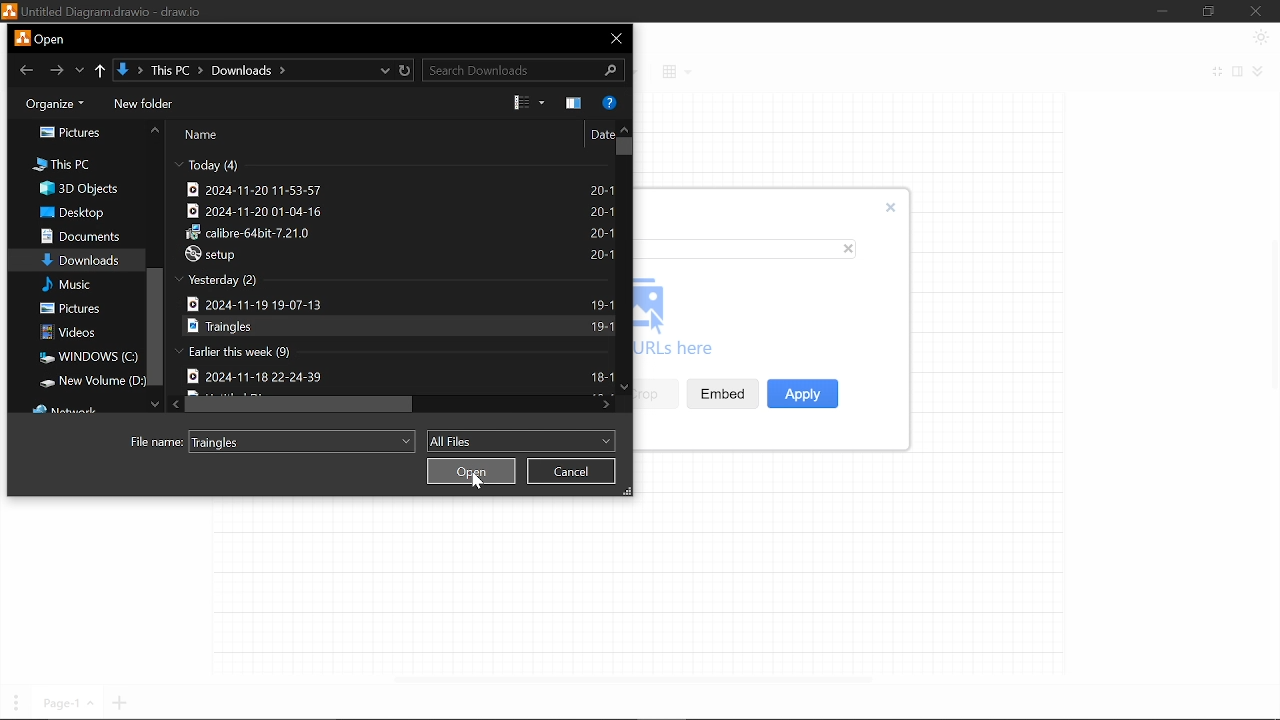  I want to click on 3d objects, so click(71, 187).